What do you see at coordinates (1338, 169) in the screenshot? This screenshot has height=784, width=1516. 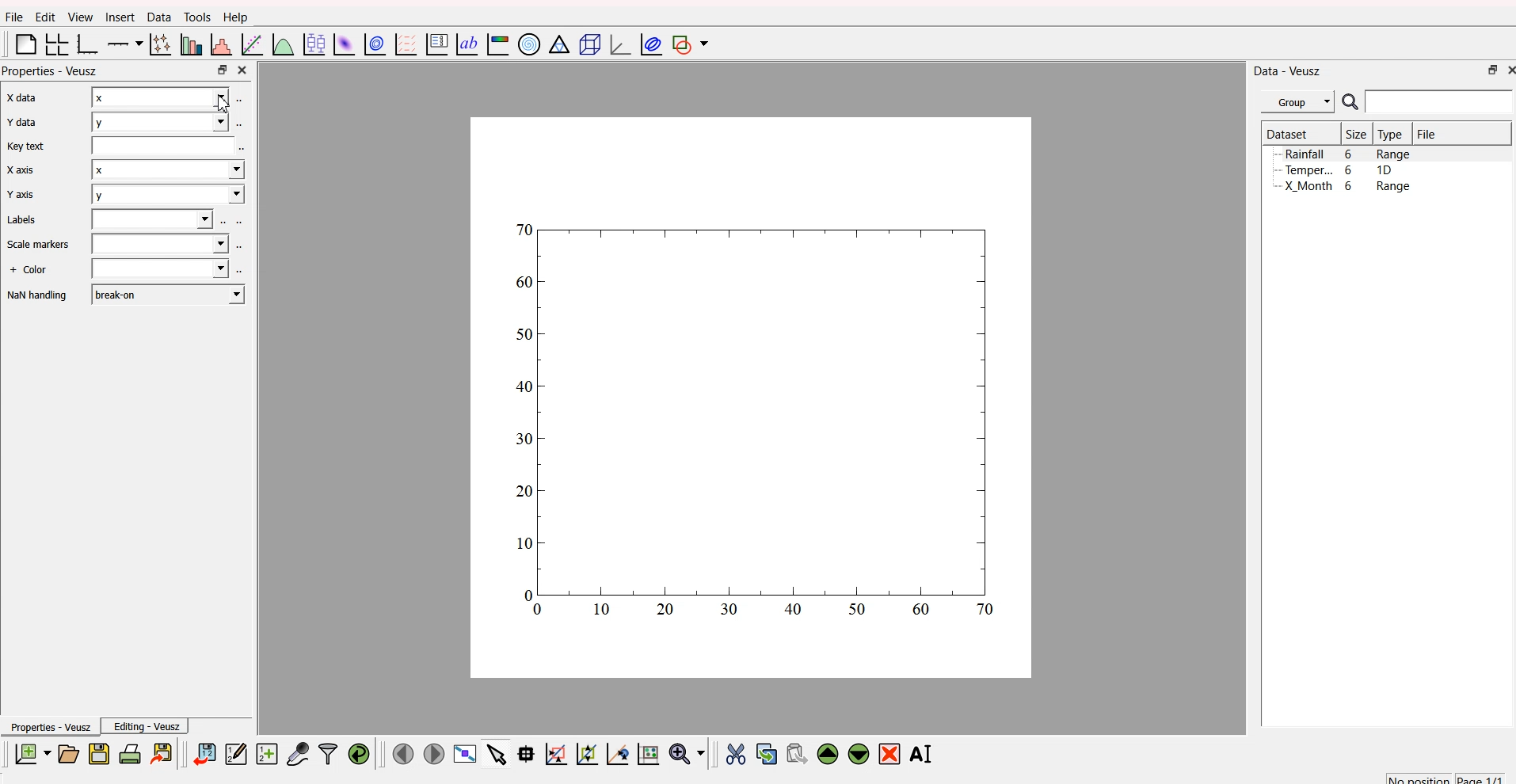 I see `Temper... 6 1D` at bounding box center [1338, 169].